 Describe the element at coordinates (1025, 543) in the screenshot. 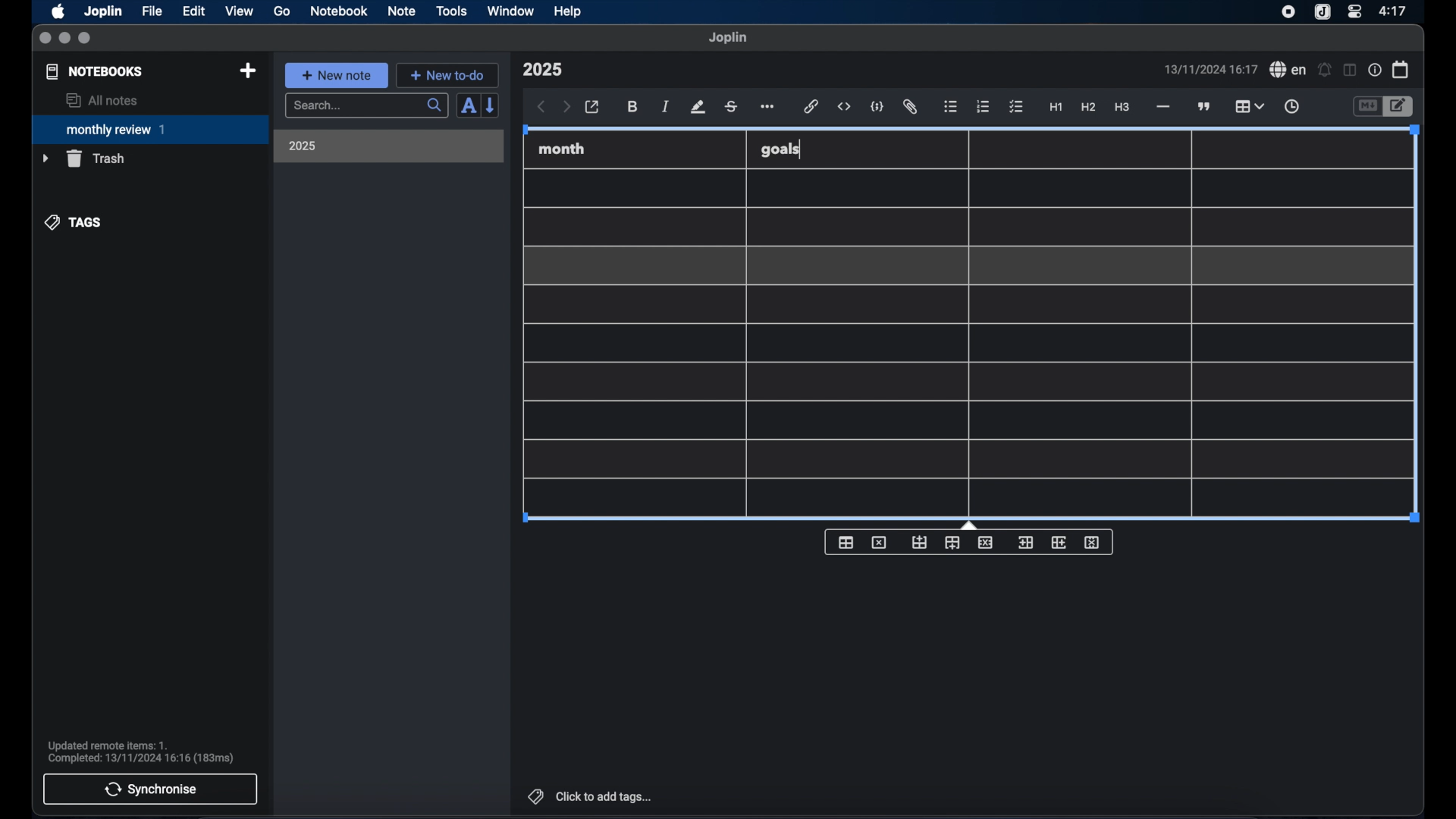

I see `insert column before` at that location.